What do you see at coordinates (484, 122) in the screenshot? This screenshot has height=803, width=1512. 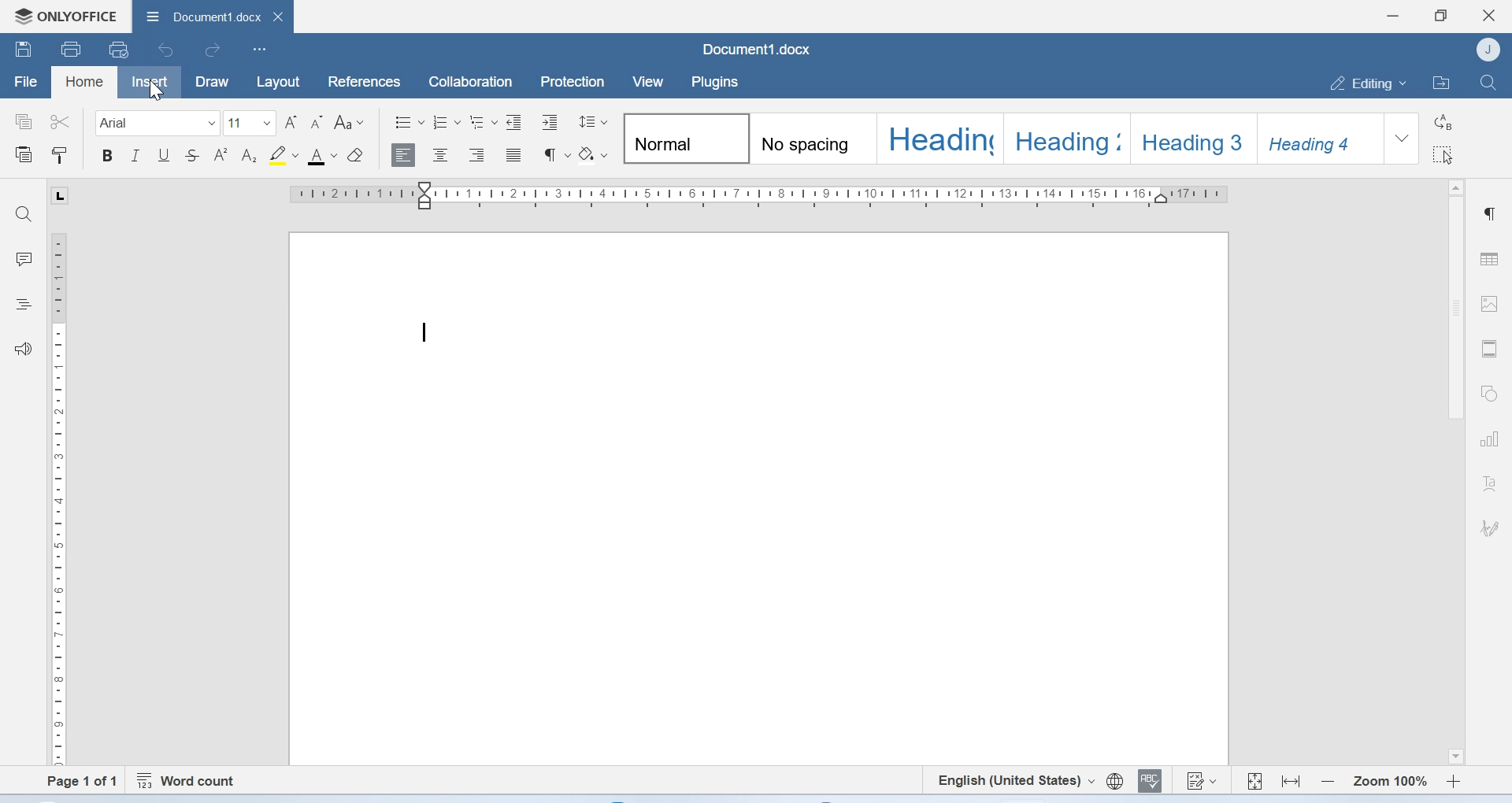 I see `Multilevel list` at bounding box center [484, 122].